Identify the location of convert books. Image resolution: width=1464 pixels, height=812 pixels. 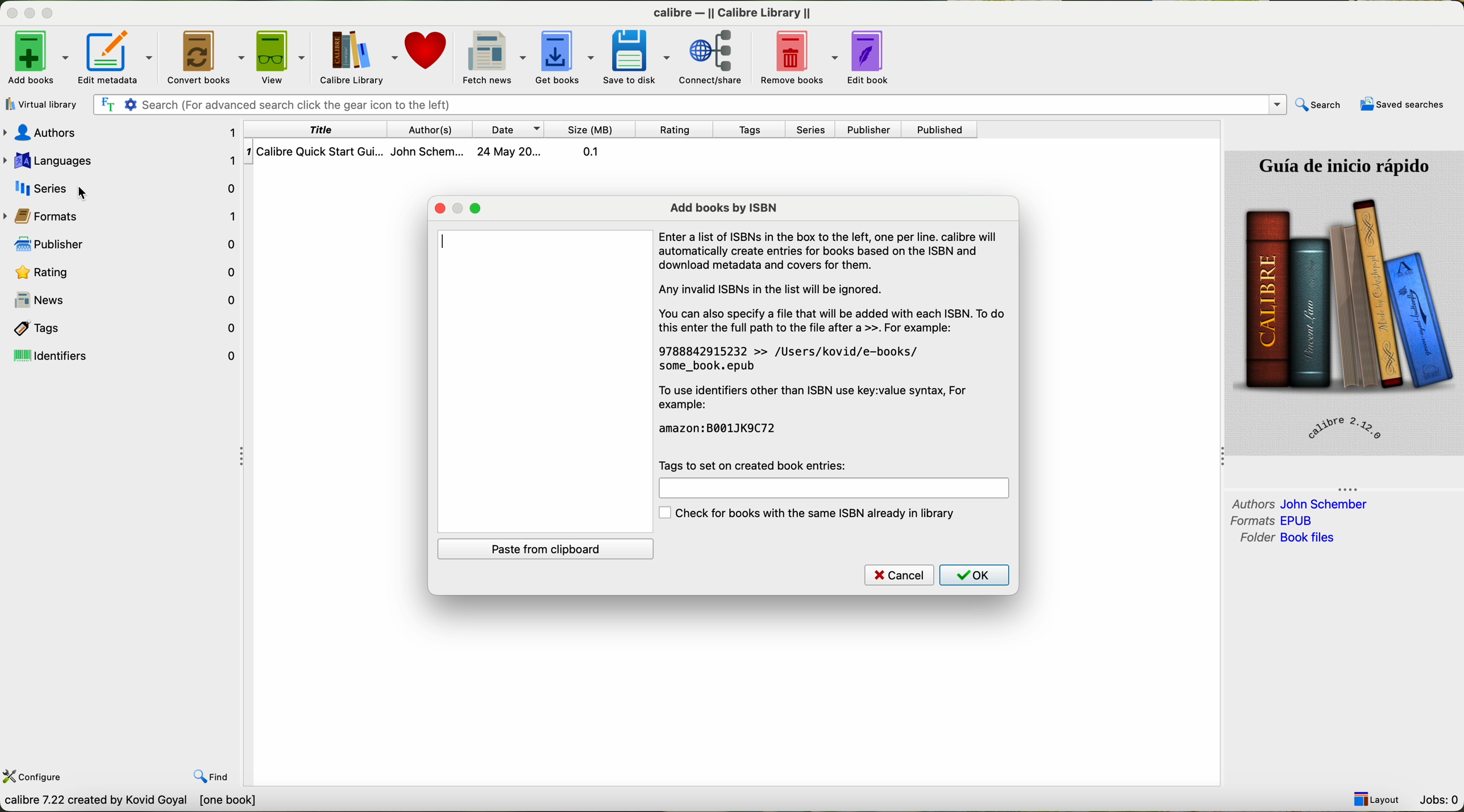
(207, 57).